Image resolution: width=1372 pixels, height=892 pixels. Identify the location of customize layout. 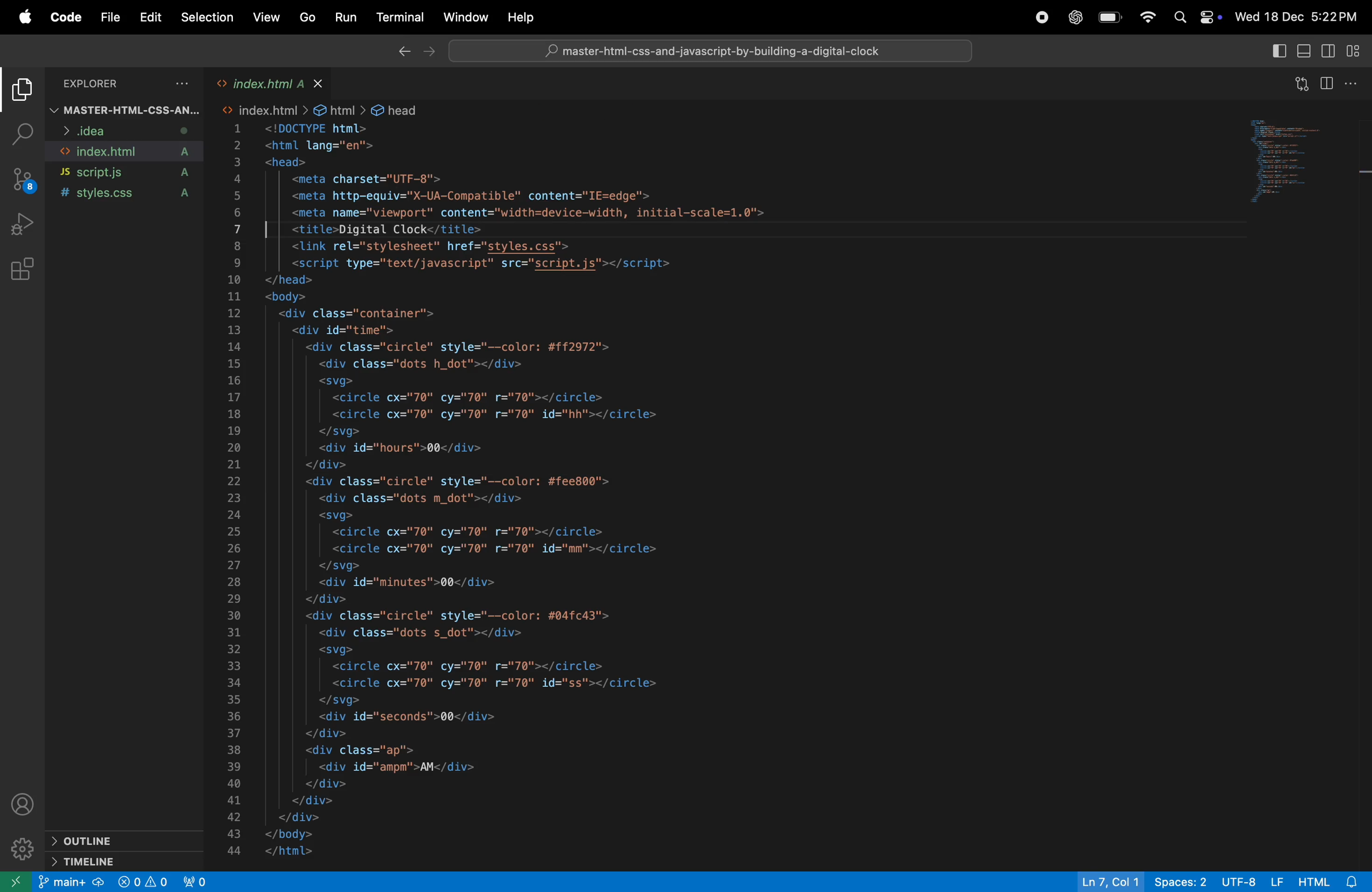
(1355, 52).